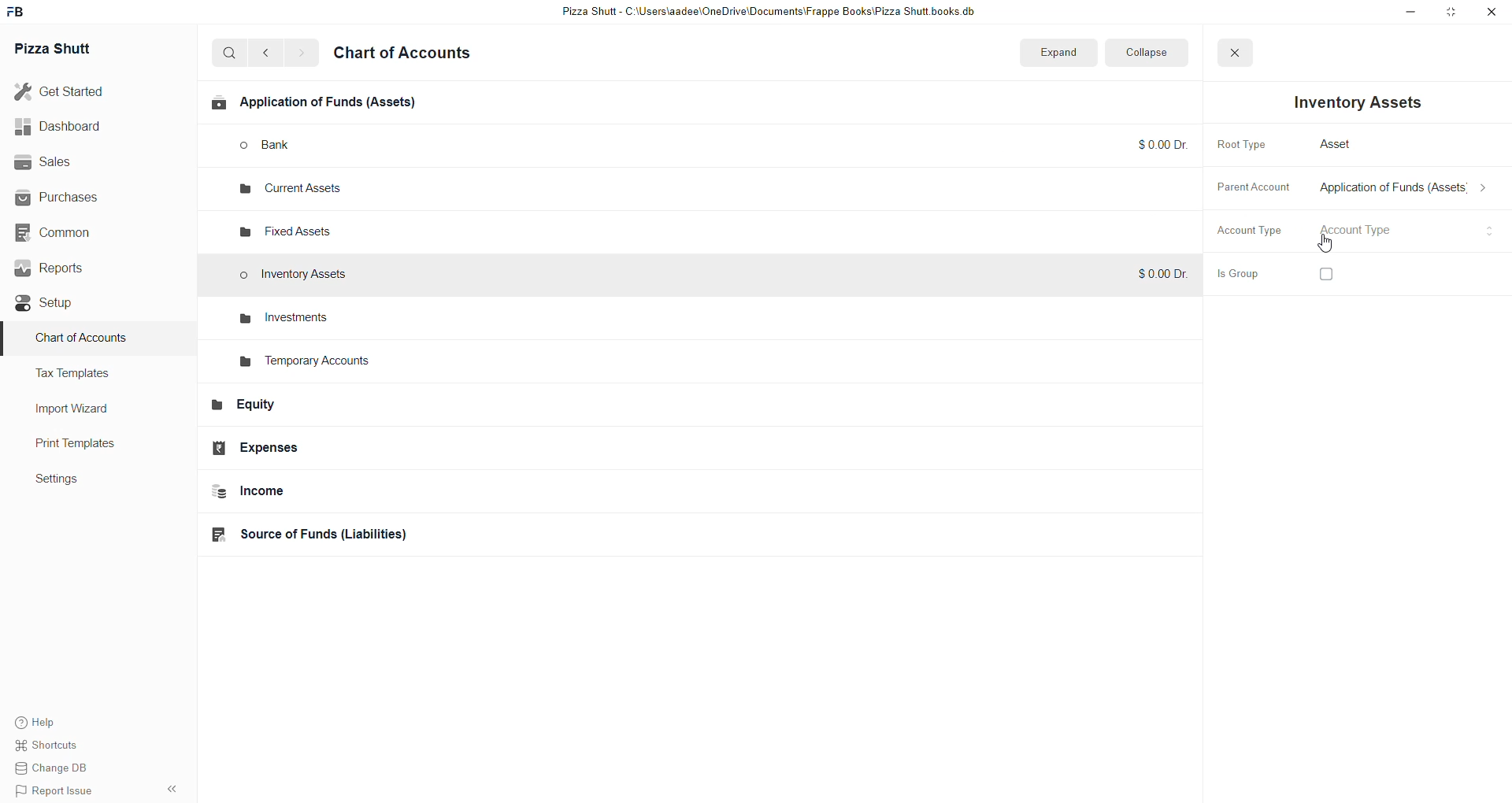 The image size is (1512, 803). I want to click on checkbox , so click(1321, 279).